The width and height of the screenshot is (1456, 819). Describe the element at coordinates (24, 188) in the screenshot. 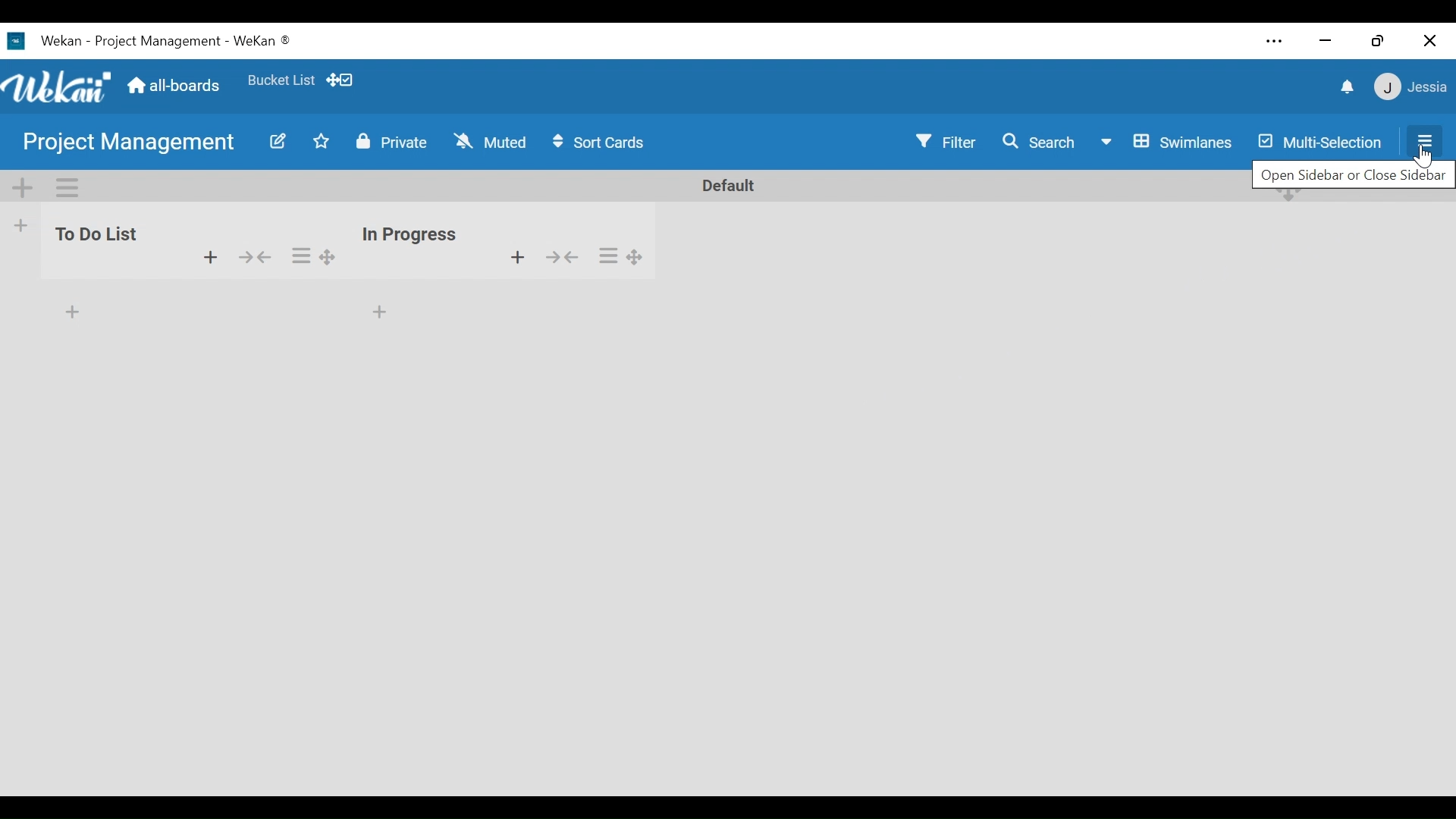

I see `Add Swimlane` at that location.